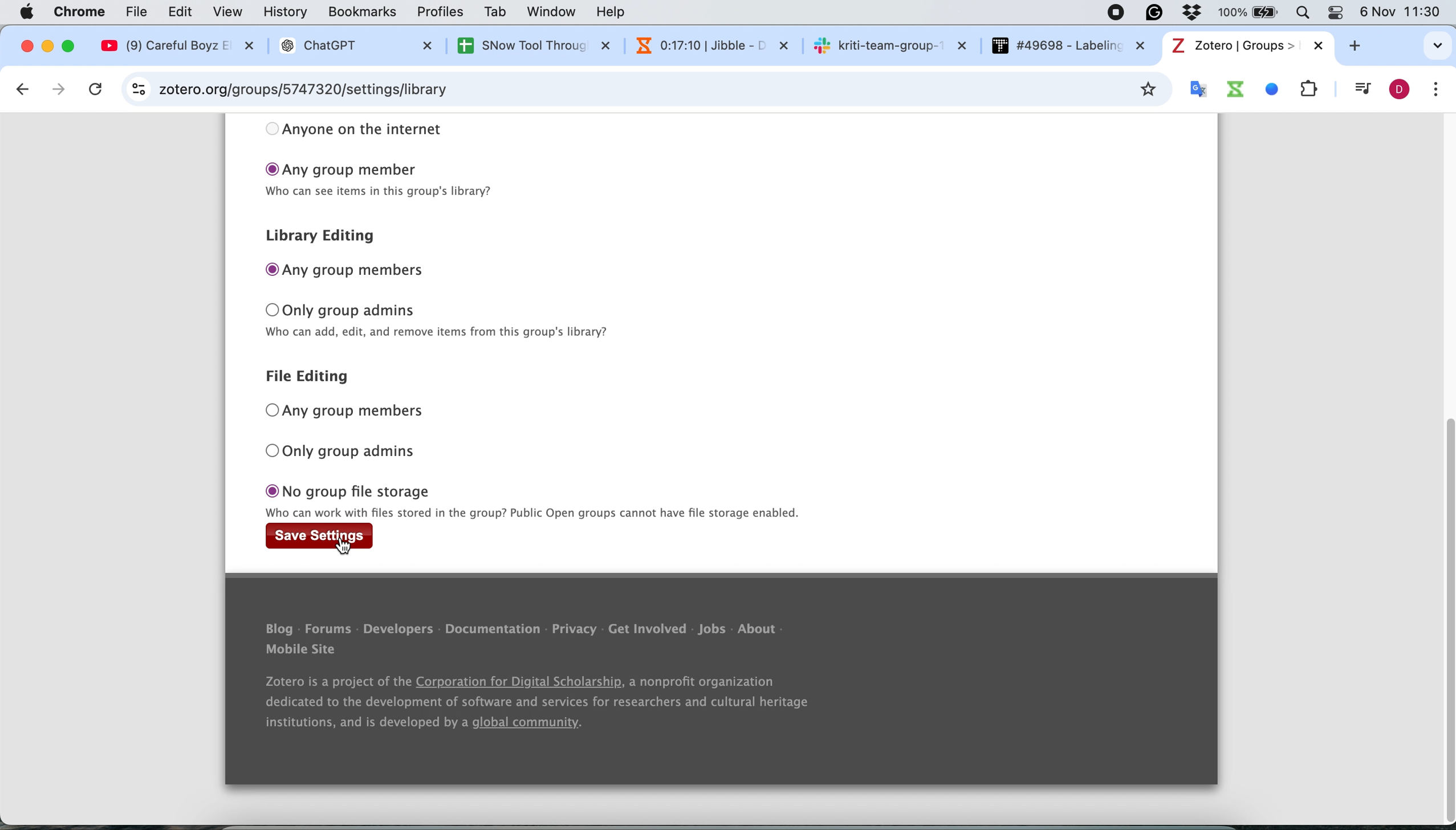  Describe the element at coordinates (343, 546) in the screenshot. I see `cursor` at that location.